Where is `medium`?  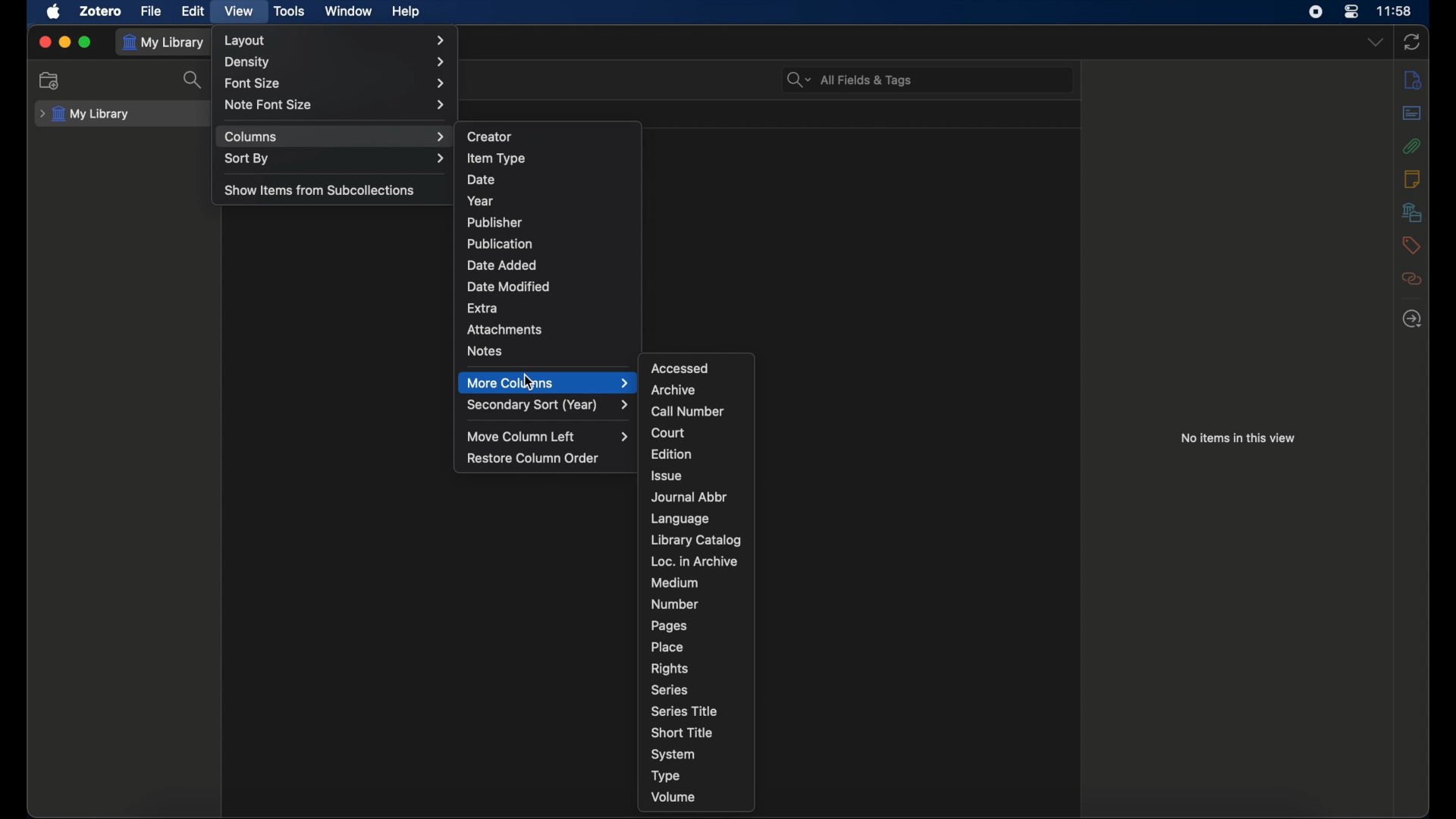
medium is located at coordinates (673, 583).